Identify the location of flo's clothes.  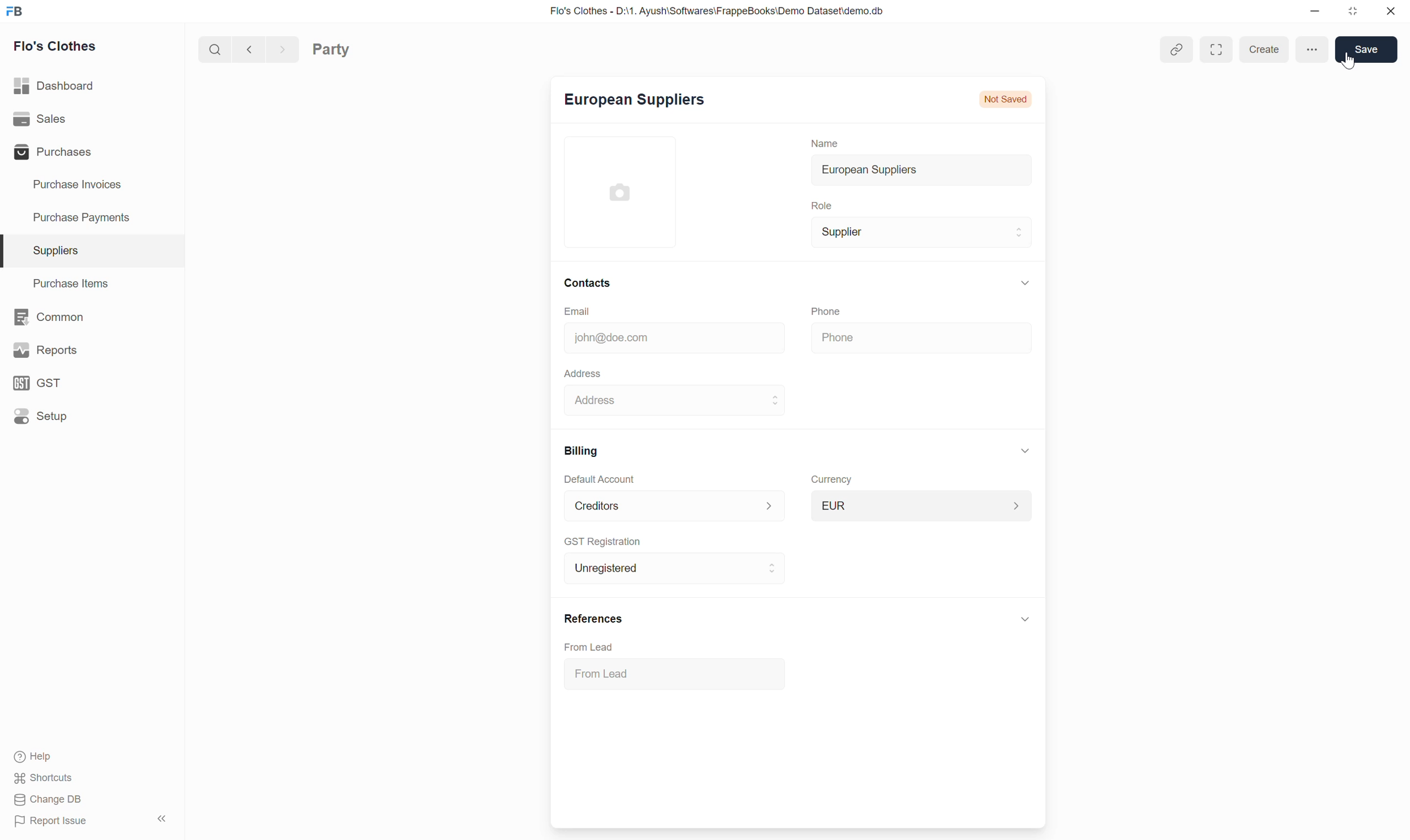
(56, 46).